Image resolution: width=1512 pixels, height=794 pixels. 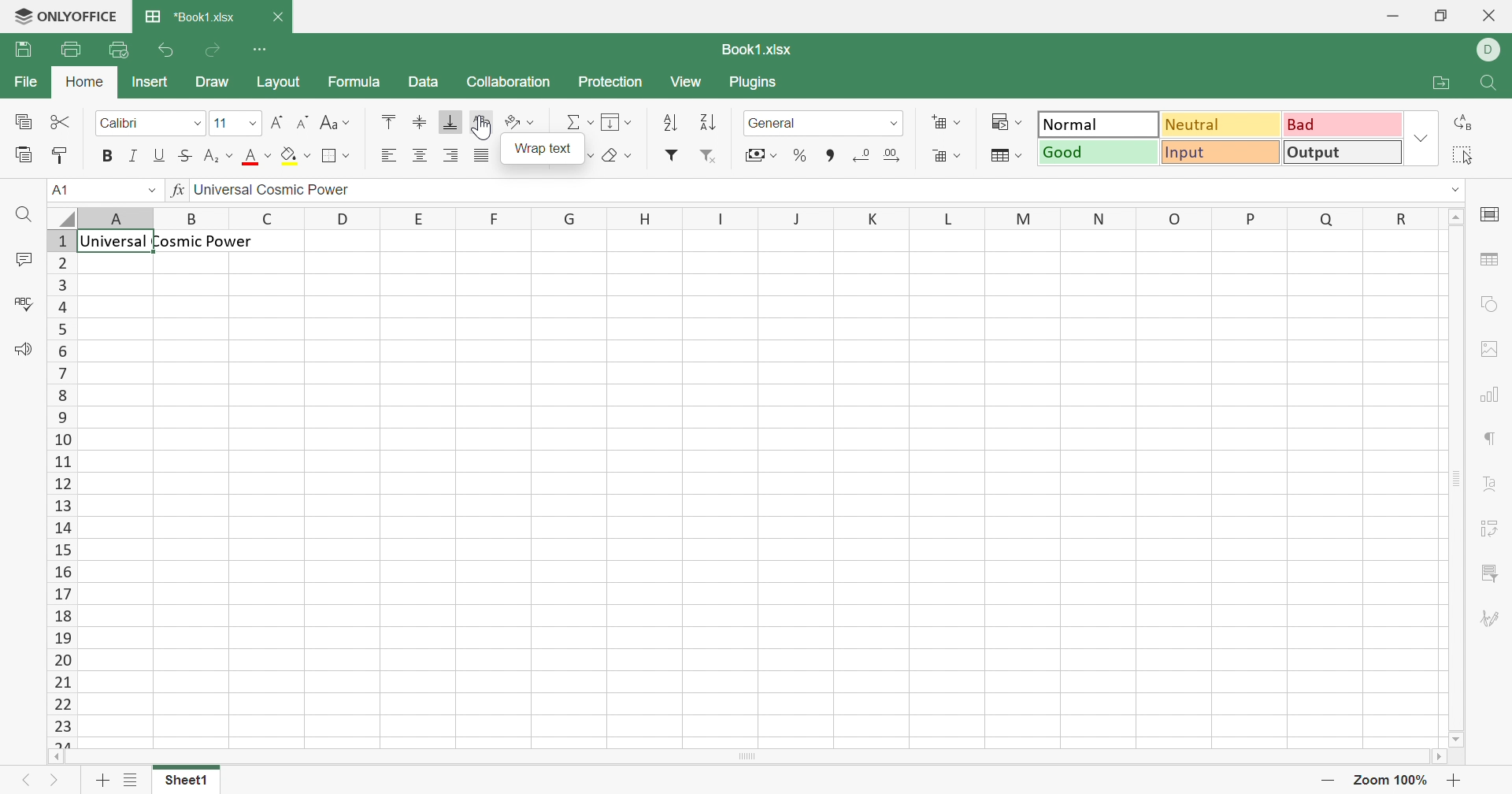 I want to click on Change case, so click(x=336, y=121).